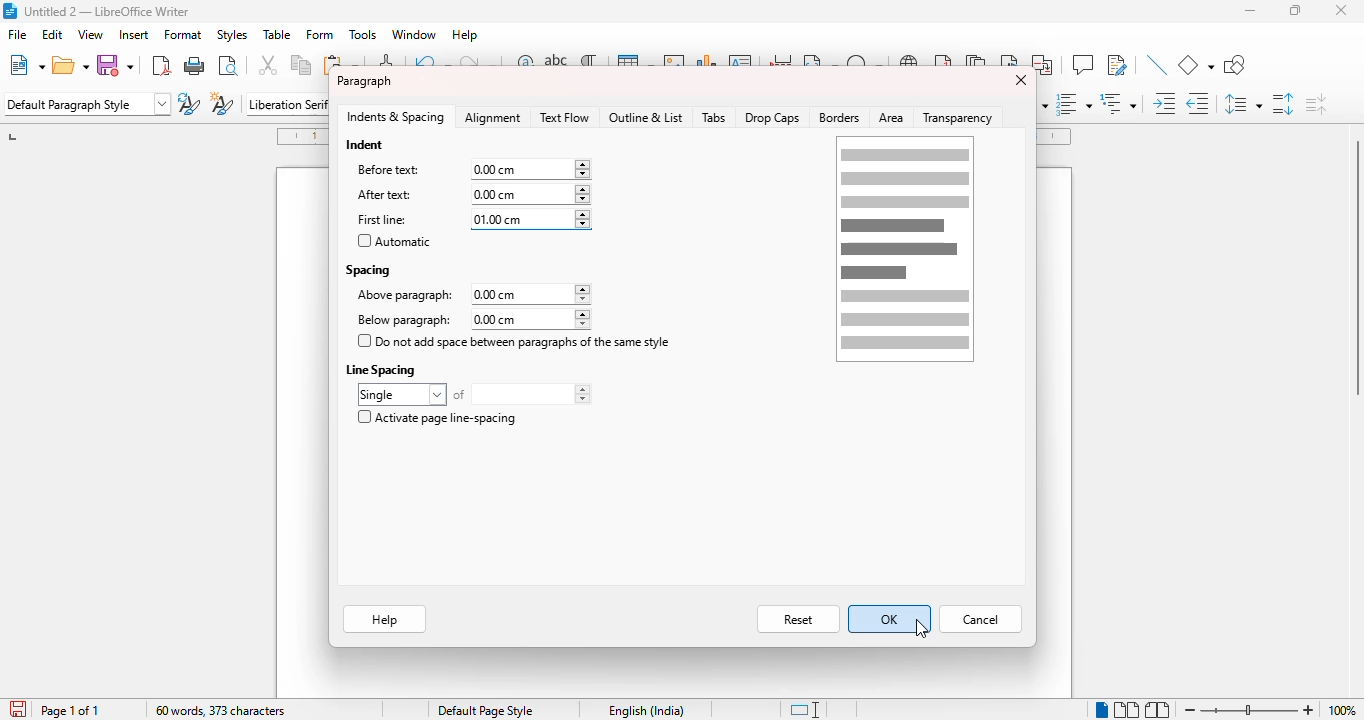  What do you see at coordinates (17, 34) in the screenshot?
I see `file` at bounding box center [17, 34].